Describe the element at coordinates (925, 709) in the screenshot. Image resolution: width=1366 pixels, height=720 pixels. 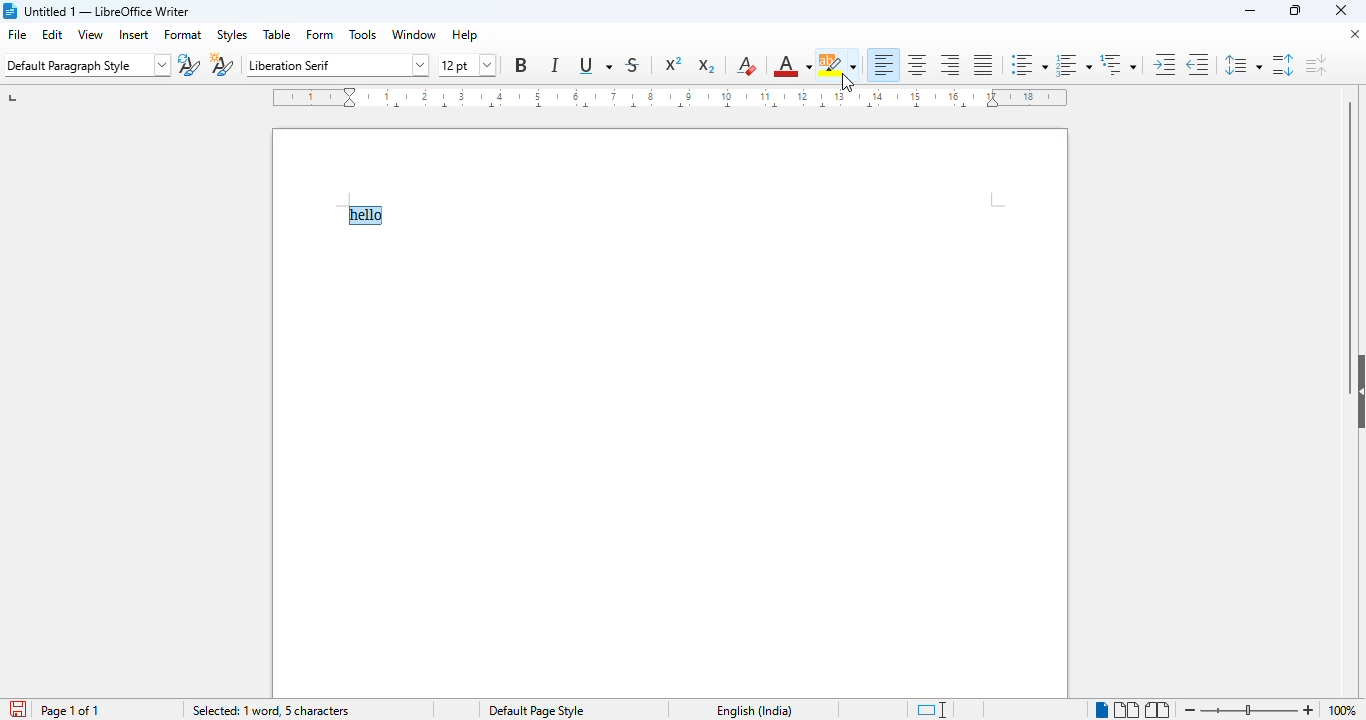
I see `standard selection` at that location.